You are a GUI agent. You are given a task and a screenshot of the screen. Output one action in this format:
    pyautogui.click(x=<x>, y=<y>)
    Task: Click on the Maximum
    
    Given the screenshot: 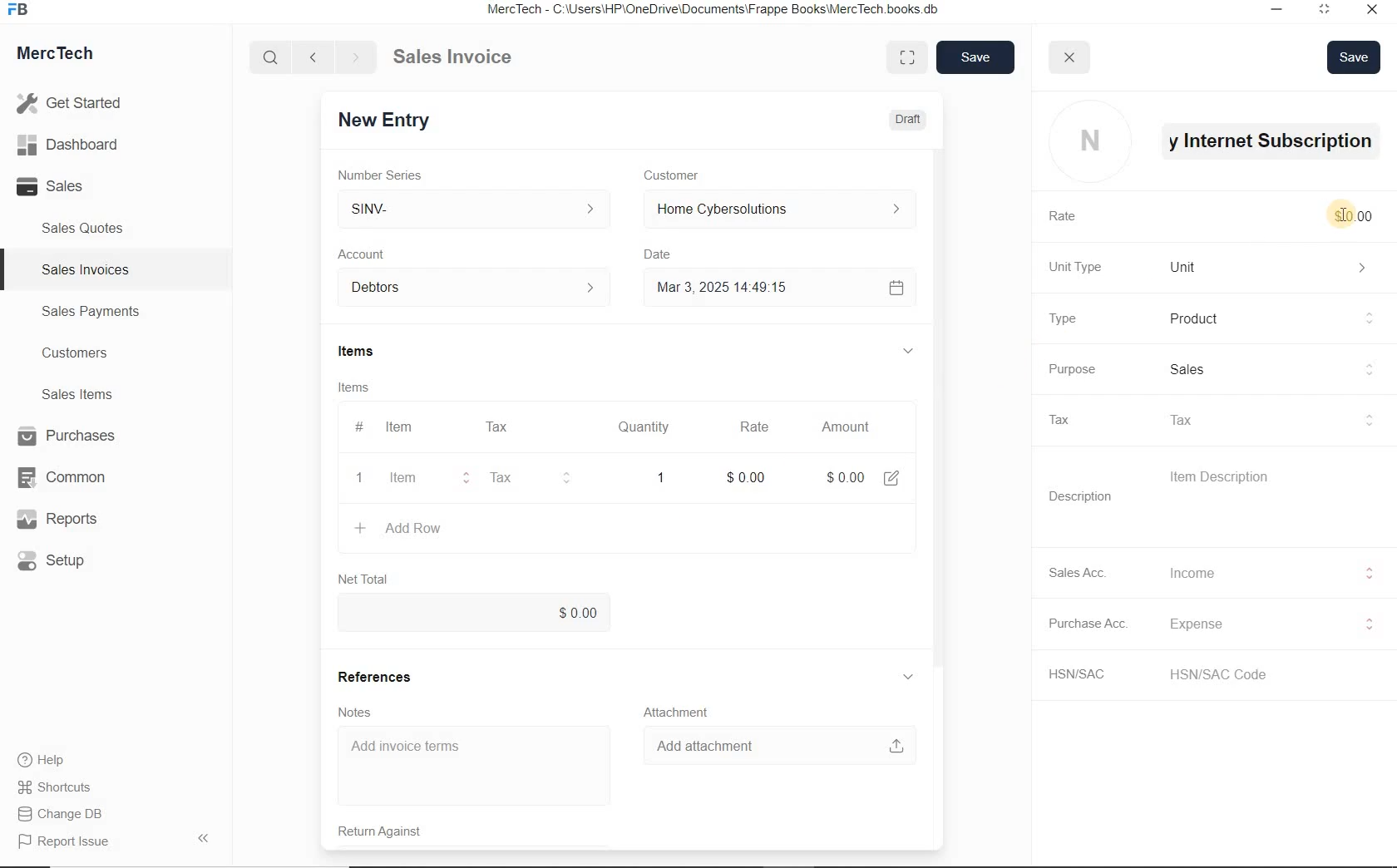 What is the action you would take?
    pyautogui.click(x=1325, y=12)
    